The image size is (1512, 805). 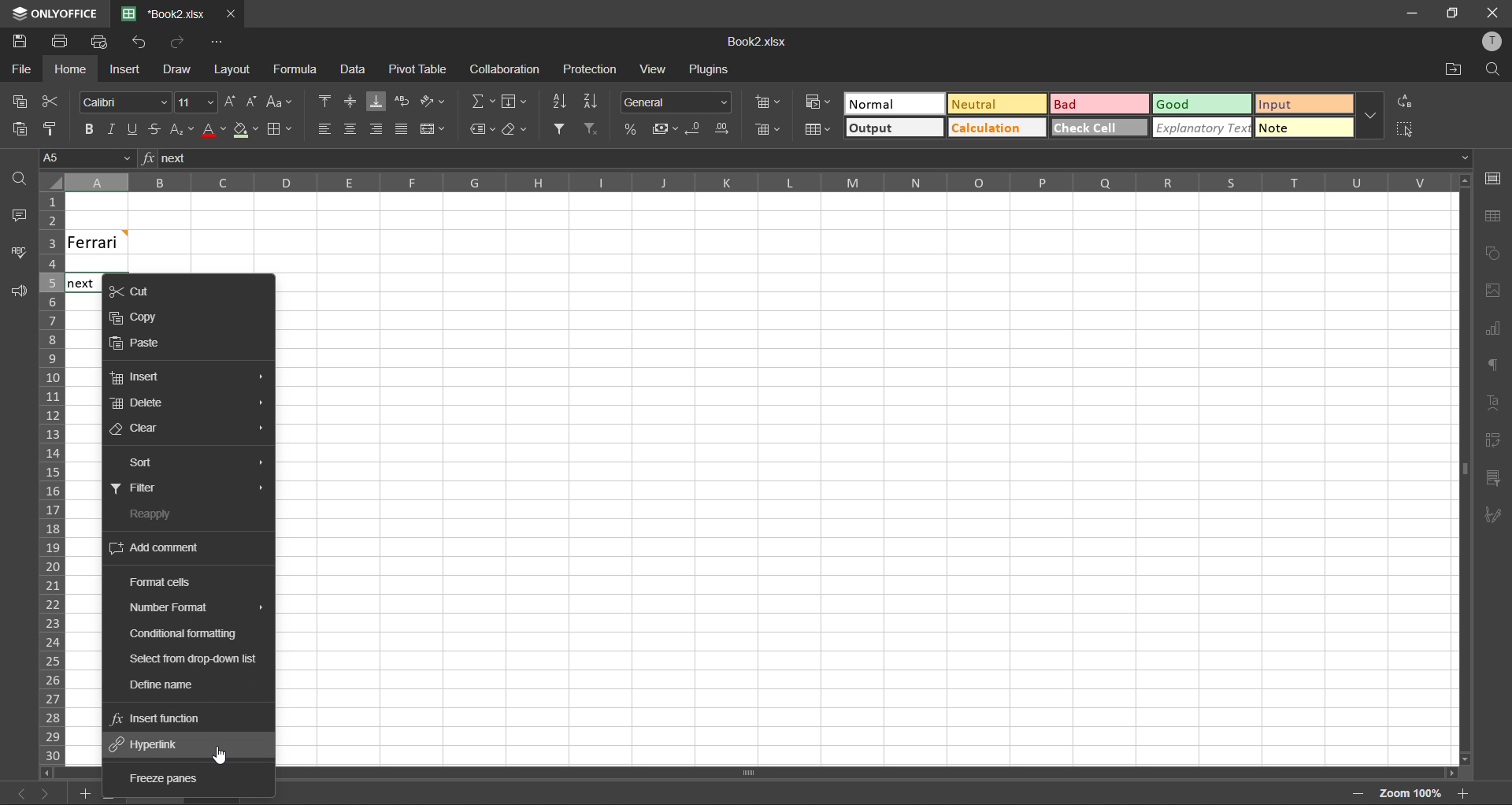 What do you see at coordinates (1493, 69) in the screenshot?
I see `find` at bounding box center [1493, 69].